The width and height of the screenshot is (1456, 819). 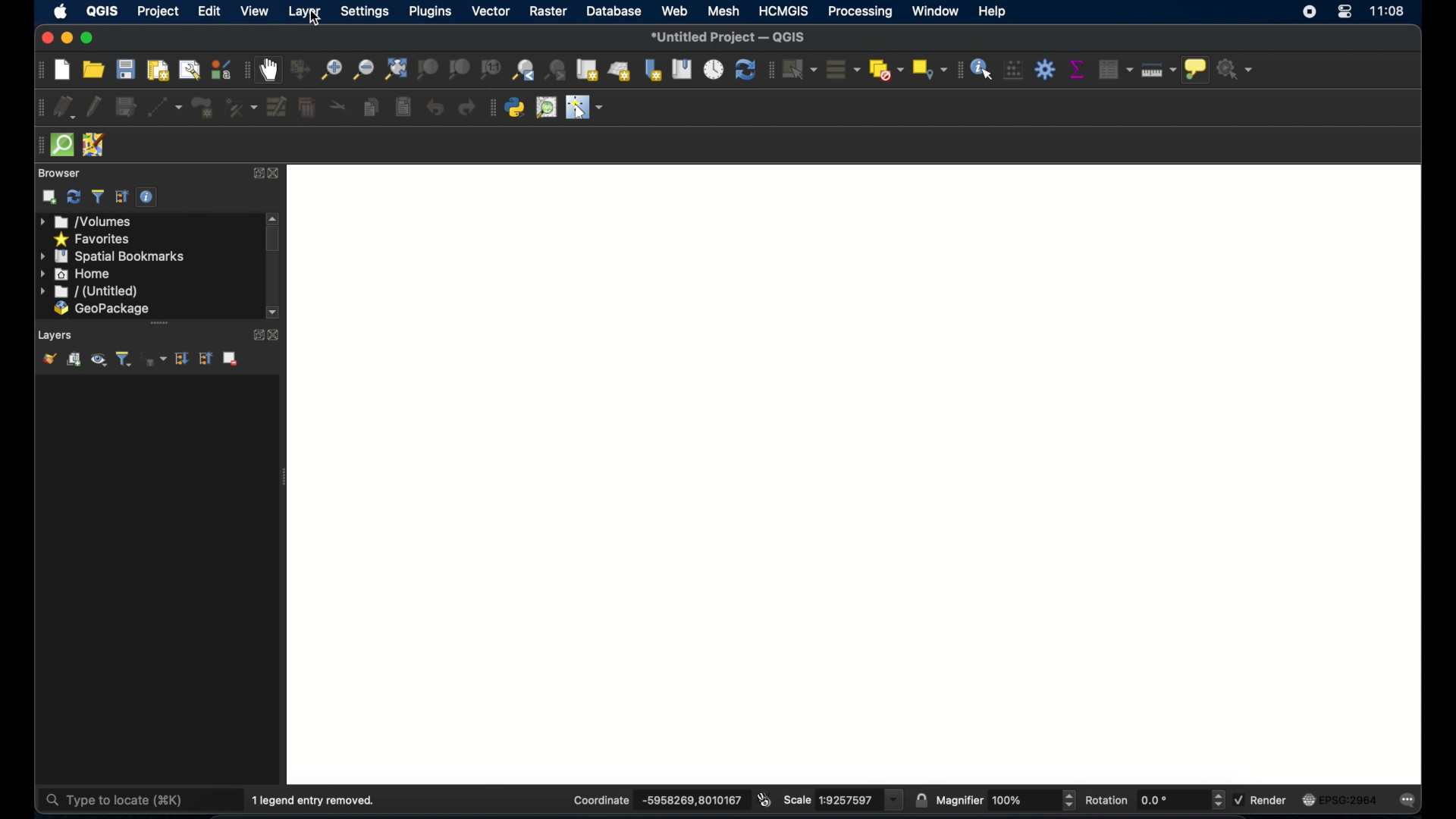 I want to click on edit, so click(x=211, y=12).